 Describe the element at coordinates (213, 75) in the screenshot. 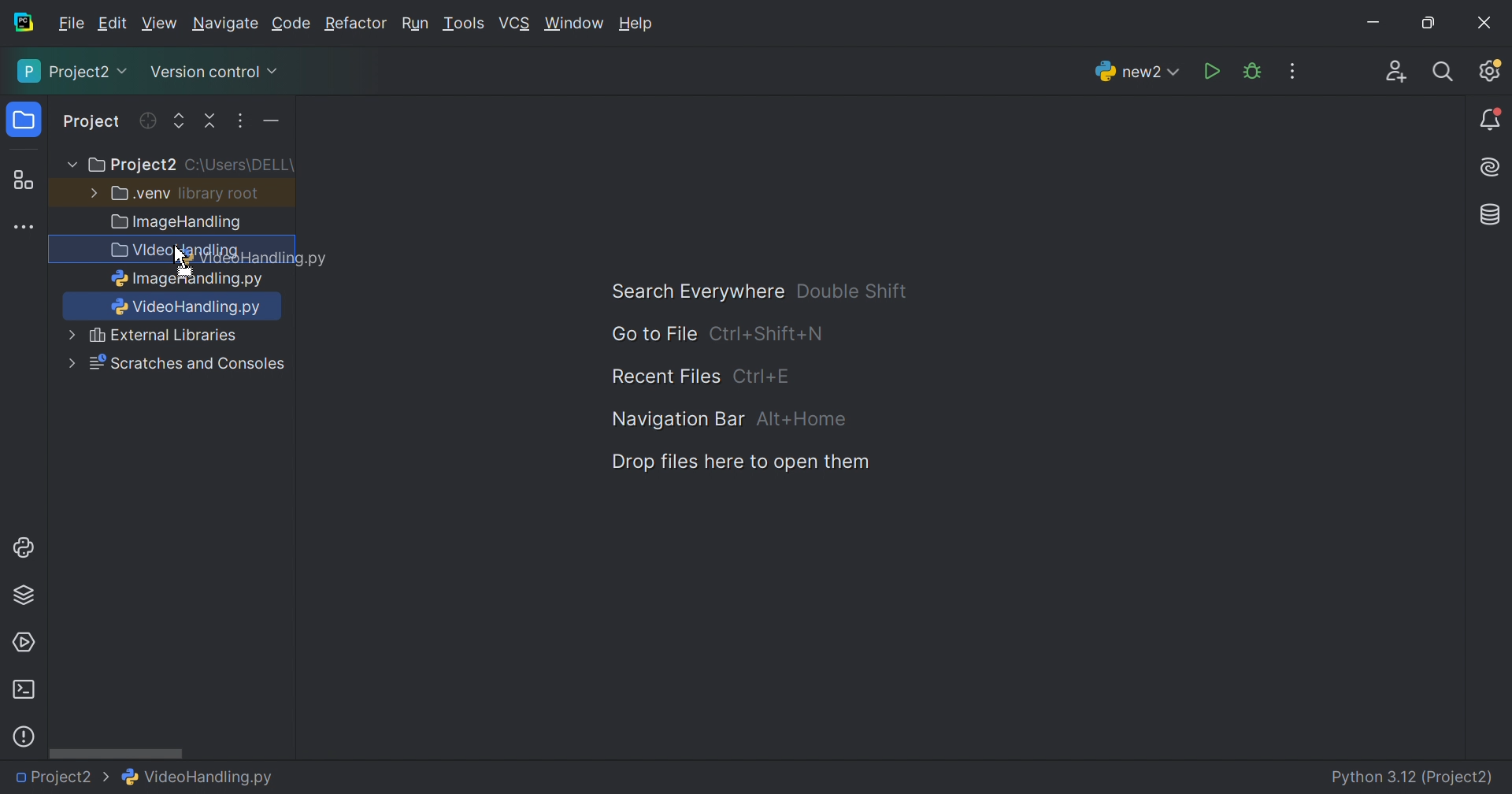

I see `Version control` at that location.